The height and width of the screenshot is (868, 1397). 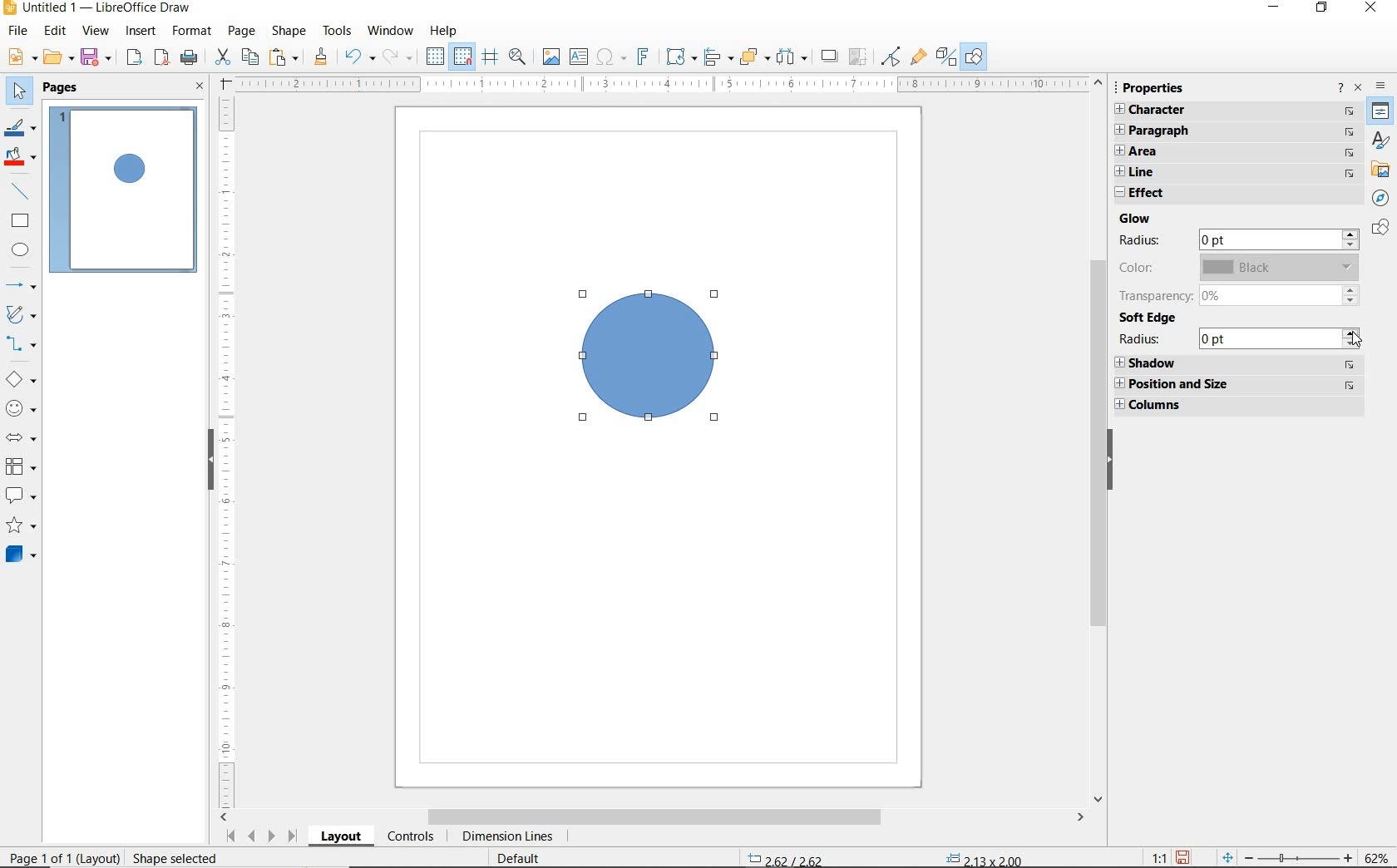 What do you see at coordinates (24, 190) in the screenshot?
I see `INSERT LINE` at bounding box center [24, 190].